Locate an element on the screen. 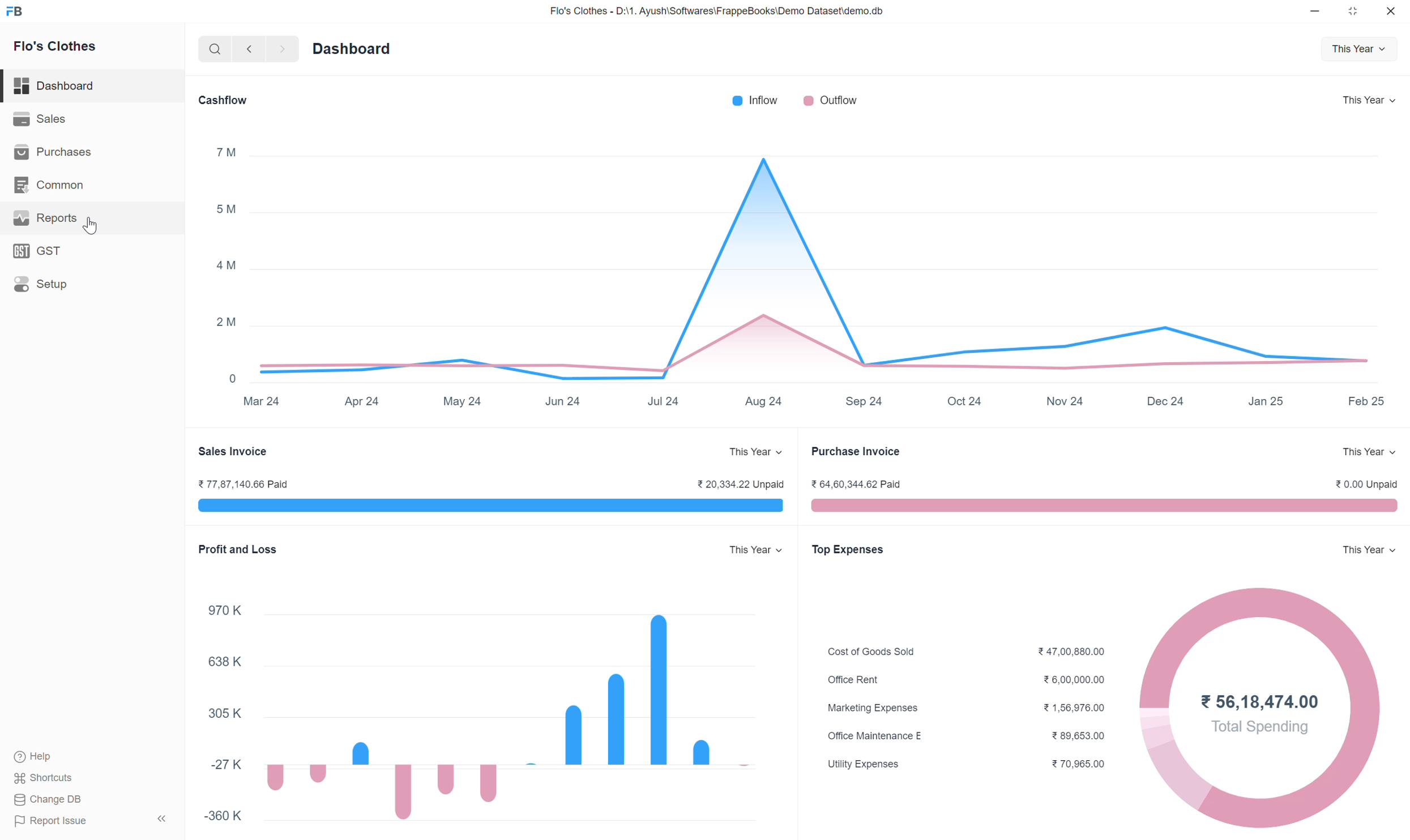 This screenshot has height=840, width=1410. Paid/Unpaid status bar is located at coordinates (474, 508).